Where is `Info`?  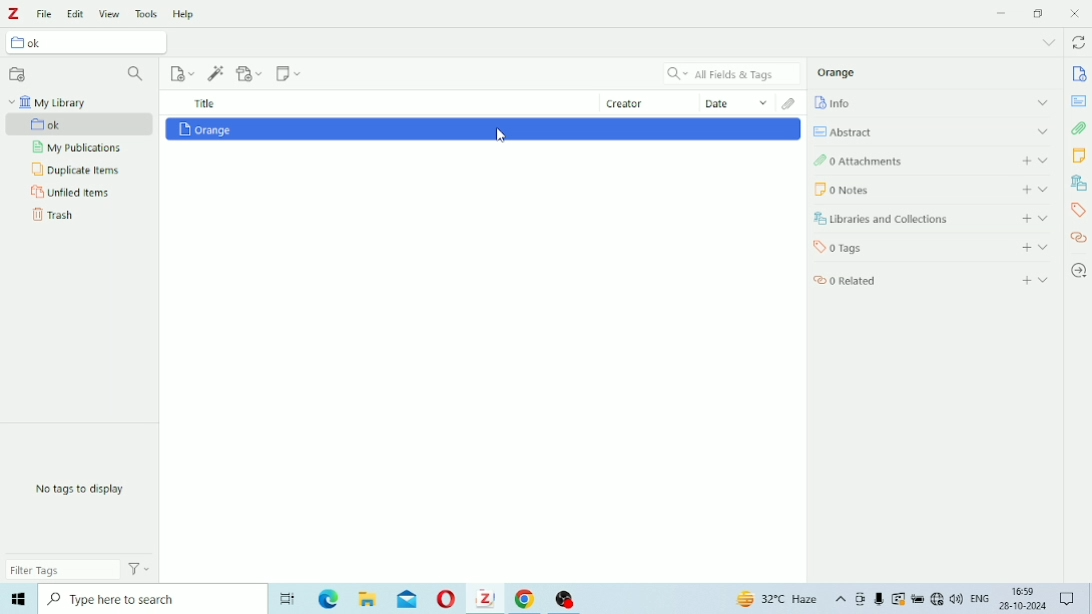
Info is located at coordinates (932, 102).